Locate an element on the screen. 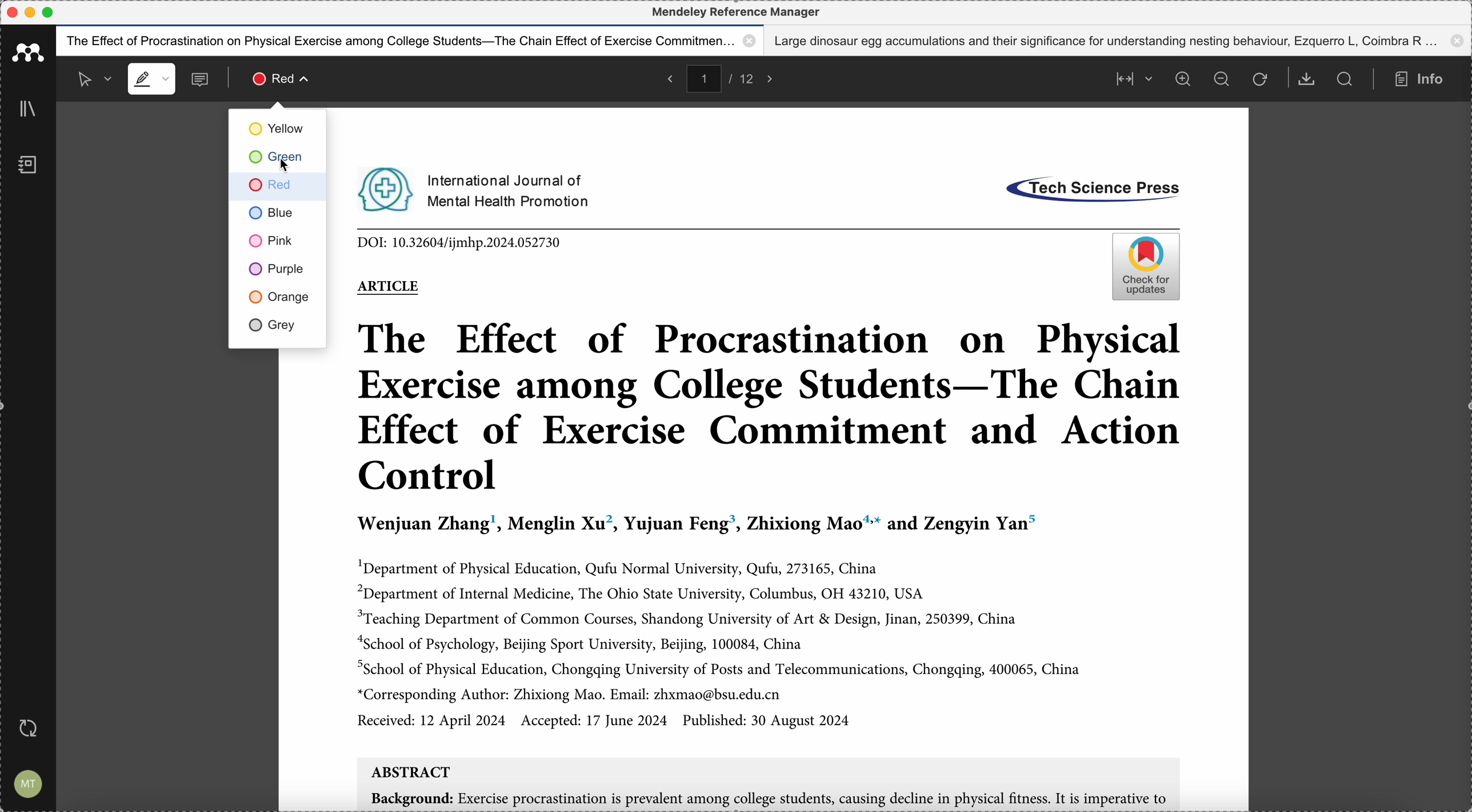 Image resolution: width=1472 pixels, height=812 pixels. orange is located at coordinates (279, 299).